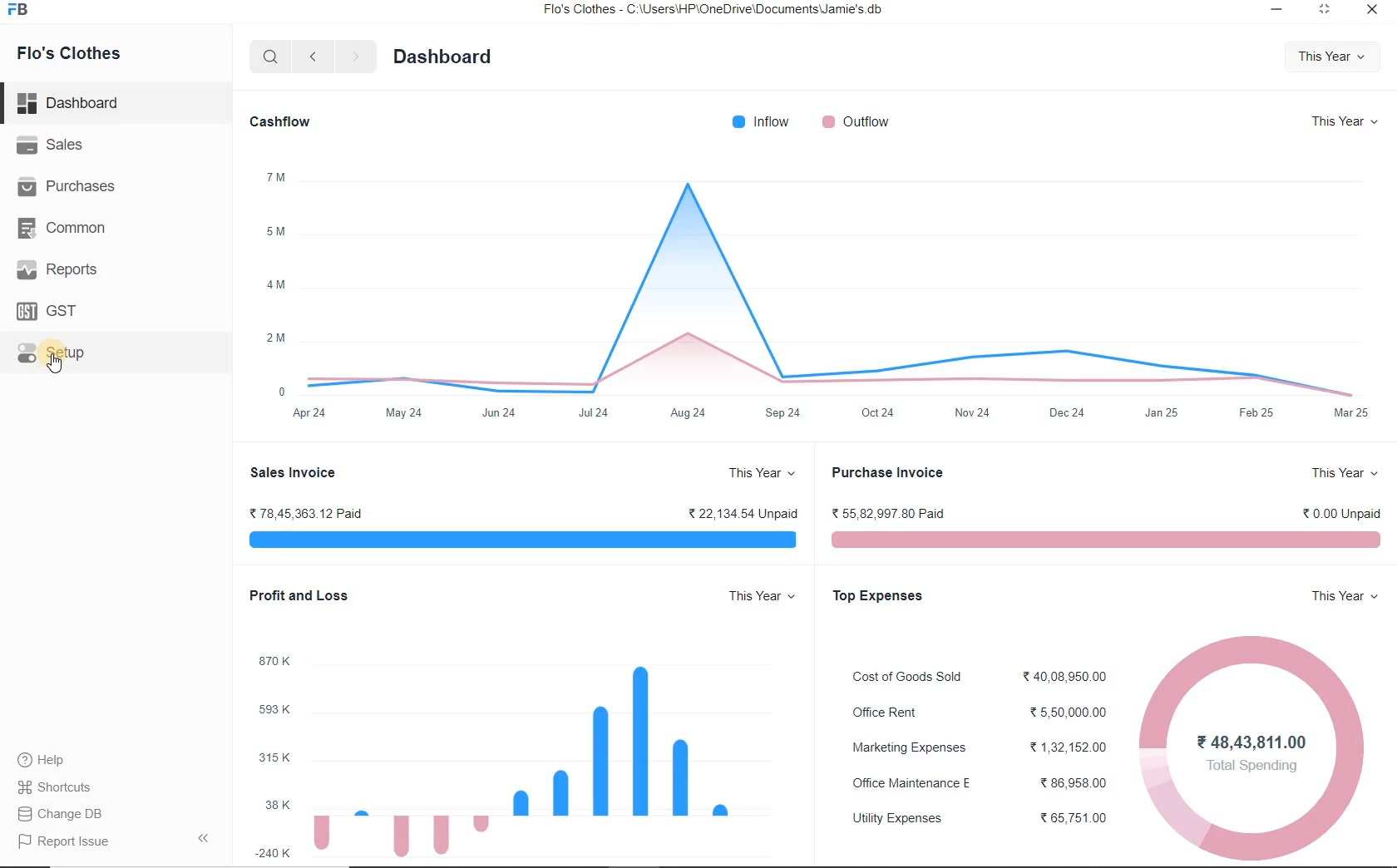 The width and height of the screenshot is (1397, 868). What do you see at coordinates (1344, 121) in the screenshot?
I see `This Year` at bounding box center [1344, 121].